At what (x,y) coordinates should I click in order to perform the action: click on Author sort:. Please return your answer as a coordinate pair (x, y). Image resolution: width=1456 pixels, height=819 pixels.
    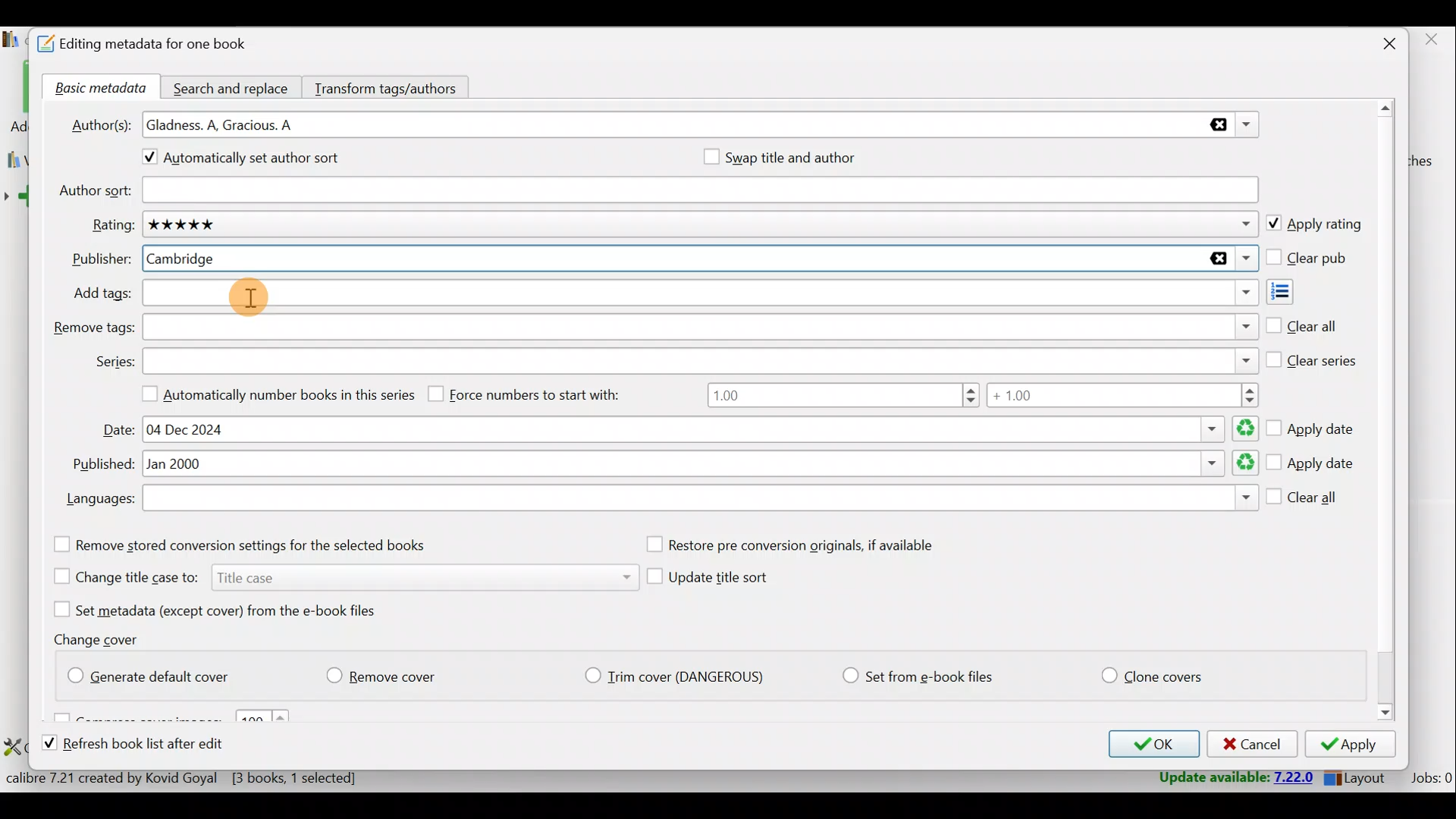
    Looking at the image, I should click on (93, 191).